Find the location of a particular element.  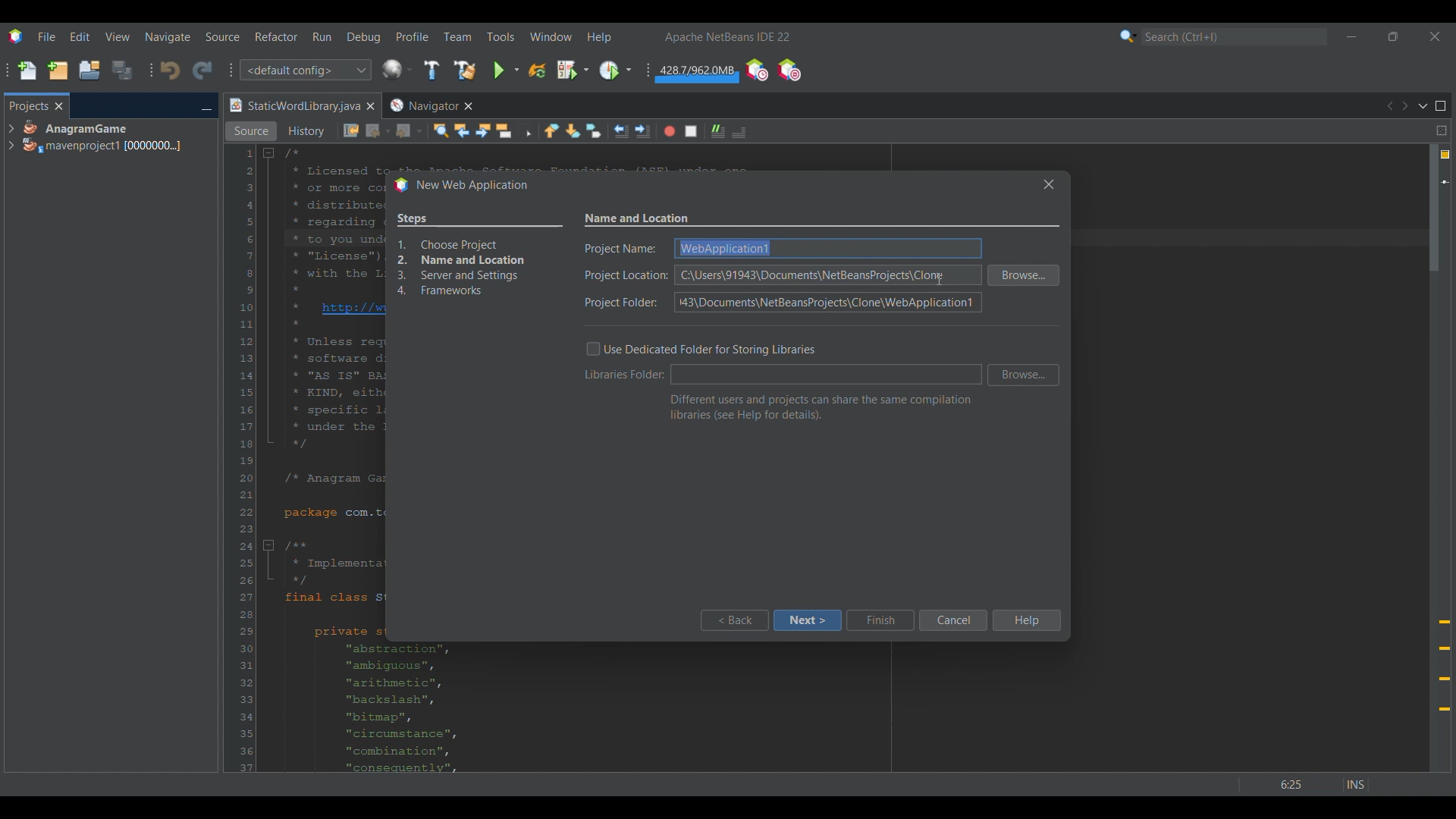

Redo is located at coordinates (202, 70).